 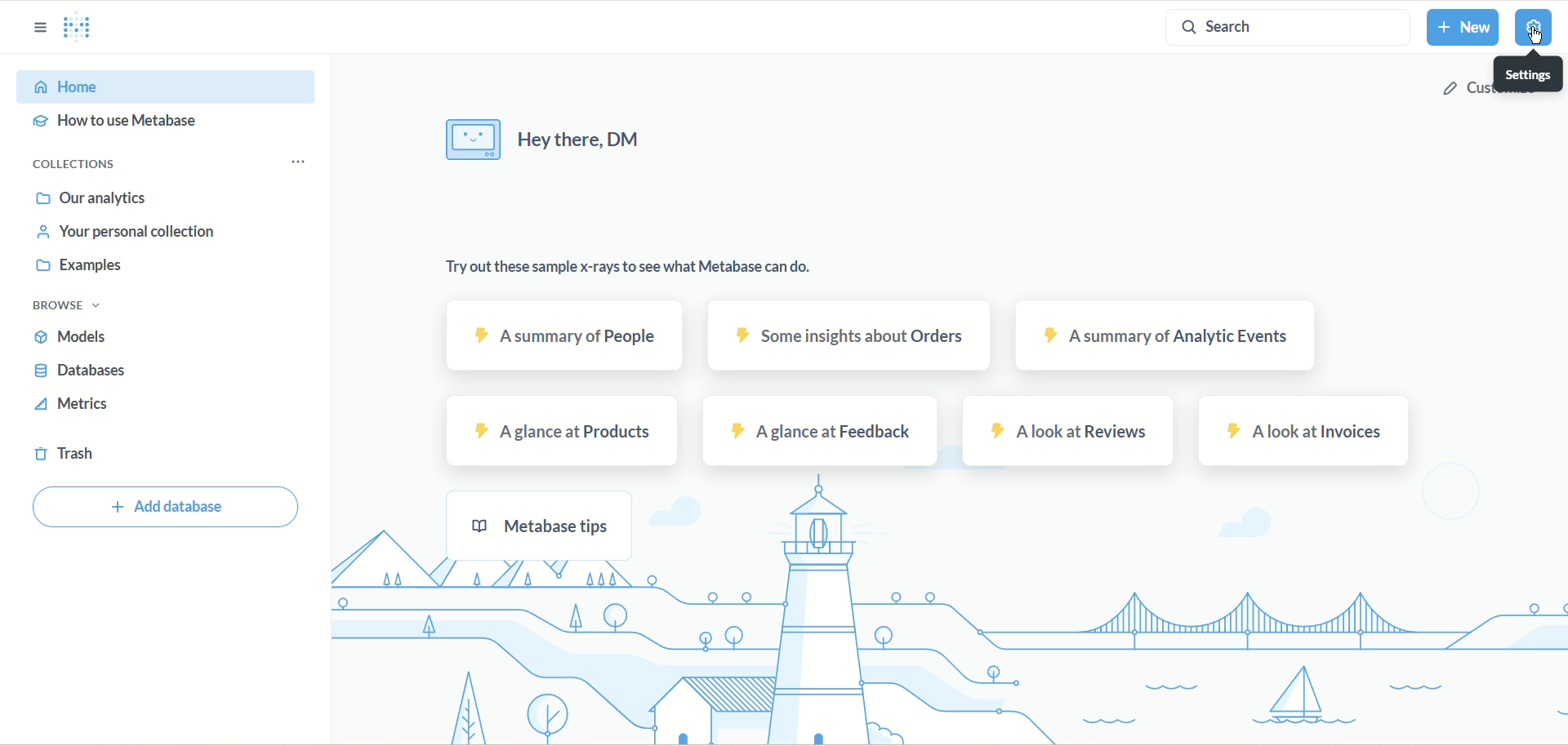 I want to click on Collections, so click(x=160, y=162).